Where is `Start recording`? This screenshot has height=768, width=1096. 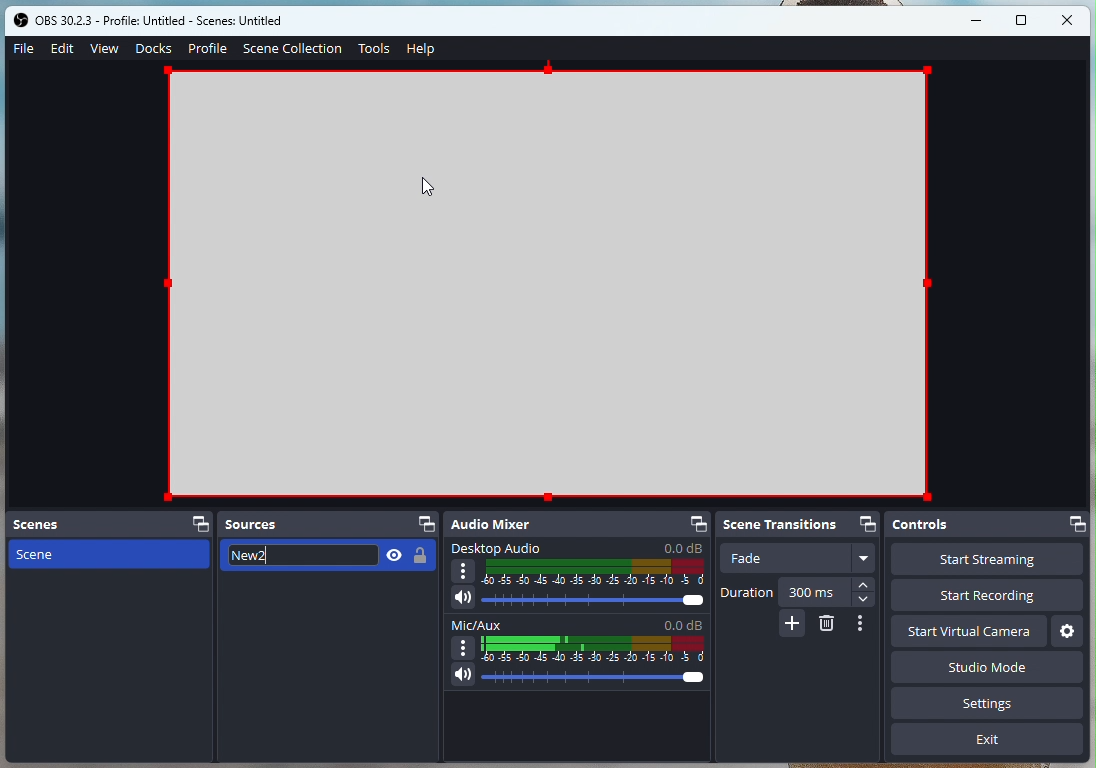
Start recording is located at coordinates (993, 597).